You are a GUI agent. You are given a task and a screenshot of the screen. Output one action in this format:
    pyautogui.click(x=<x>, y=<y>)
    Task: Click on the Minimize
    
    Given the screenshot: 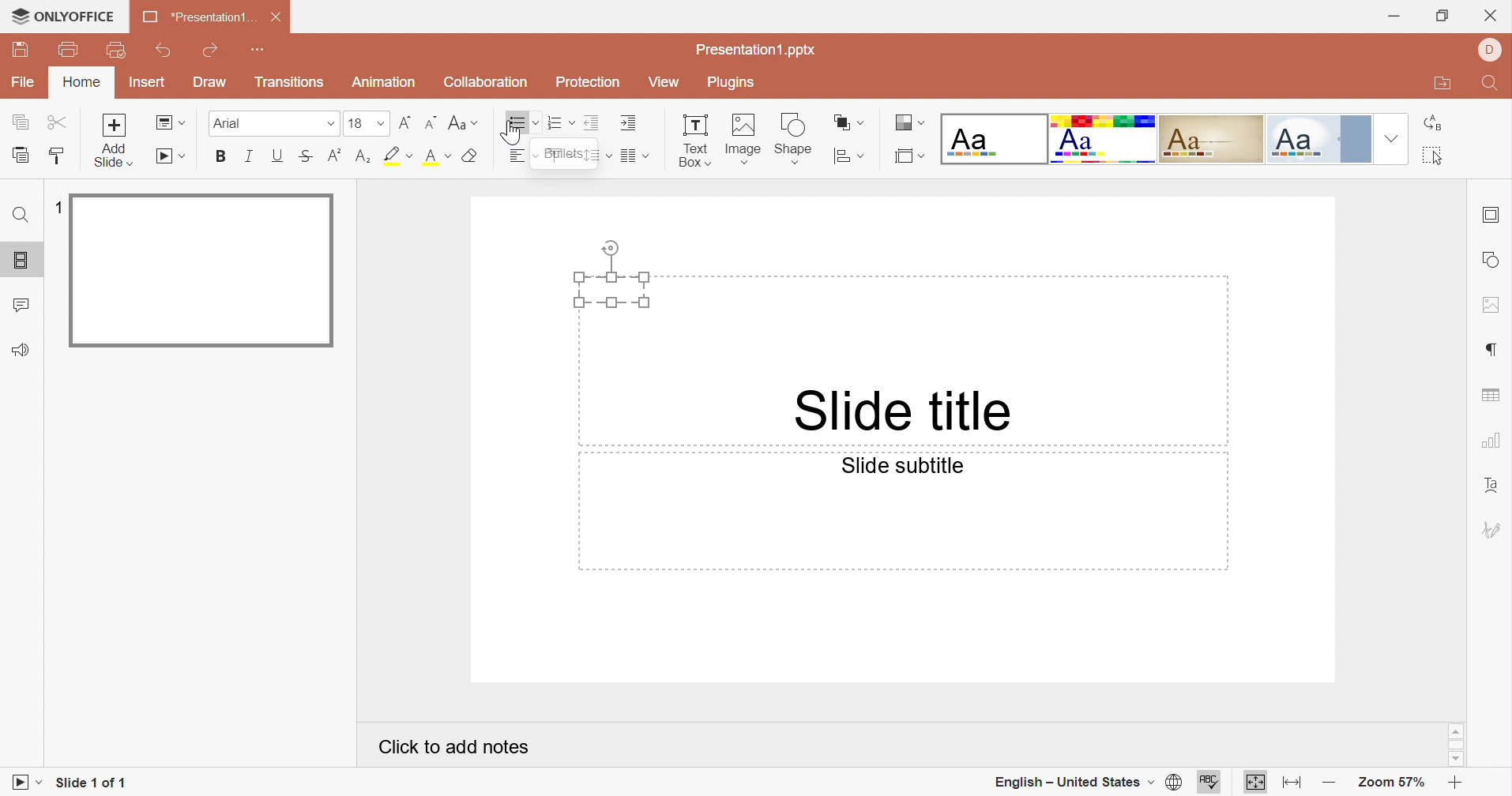 What is the action you would take?
    pyautogui.click(x=1399, y=13)
    